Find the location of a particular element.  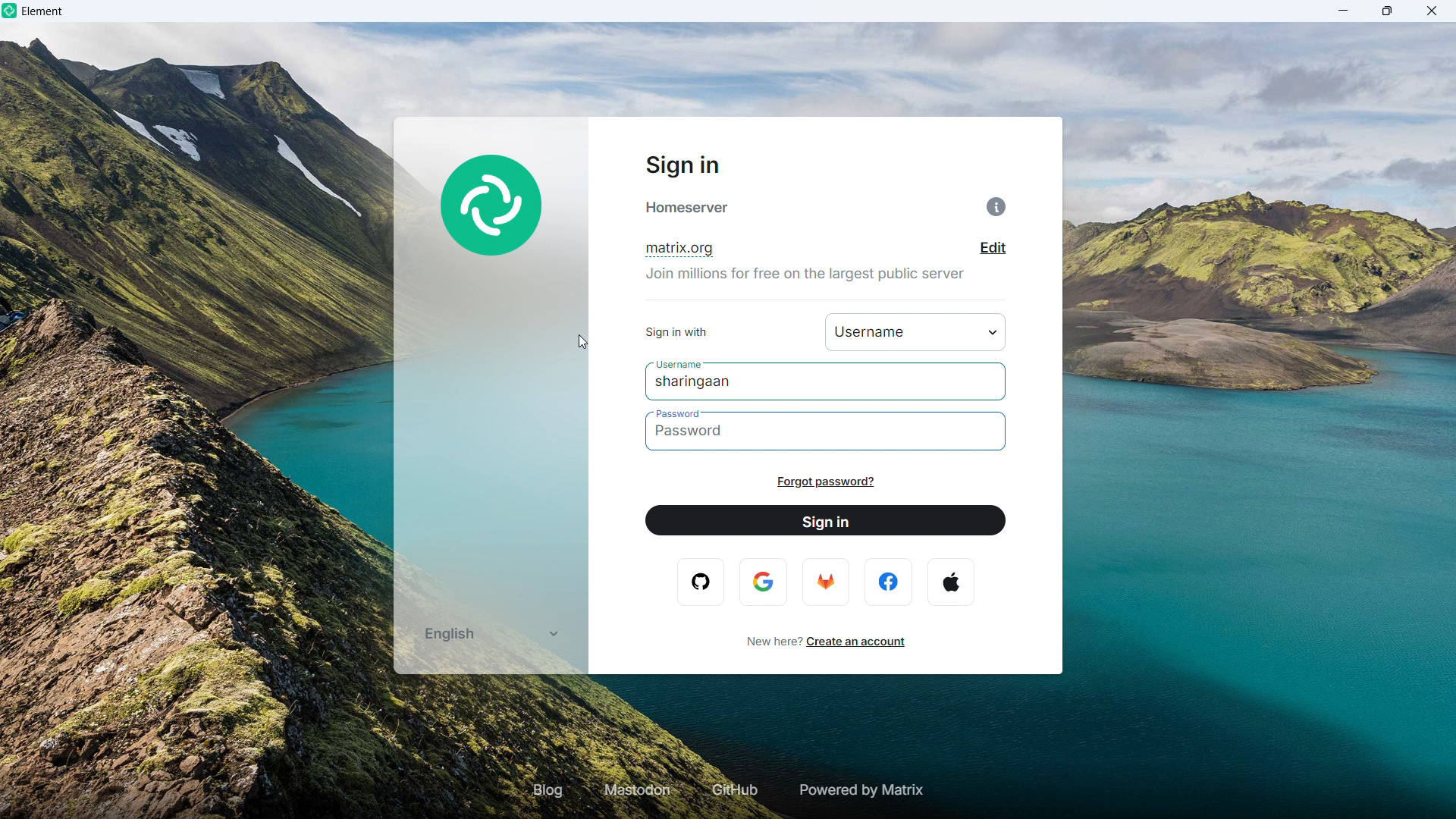

close  is located at coordinates (1431, 11).